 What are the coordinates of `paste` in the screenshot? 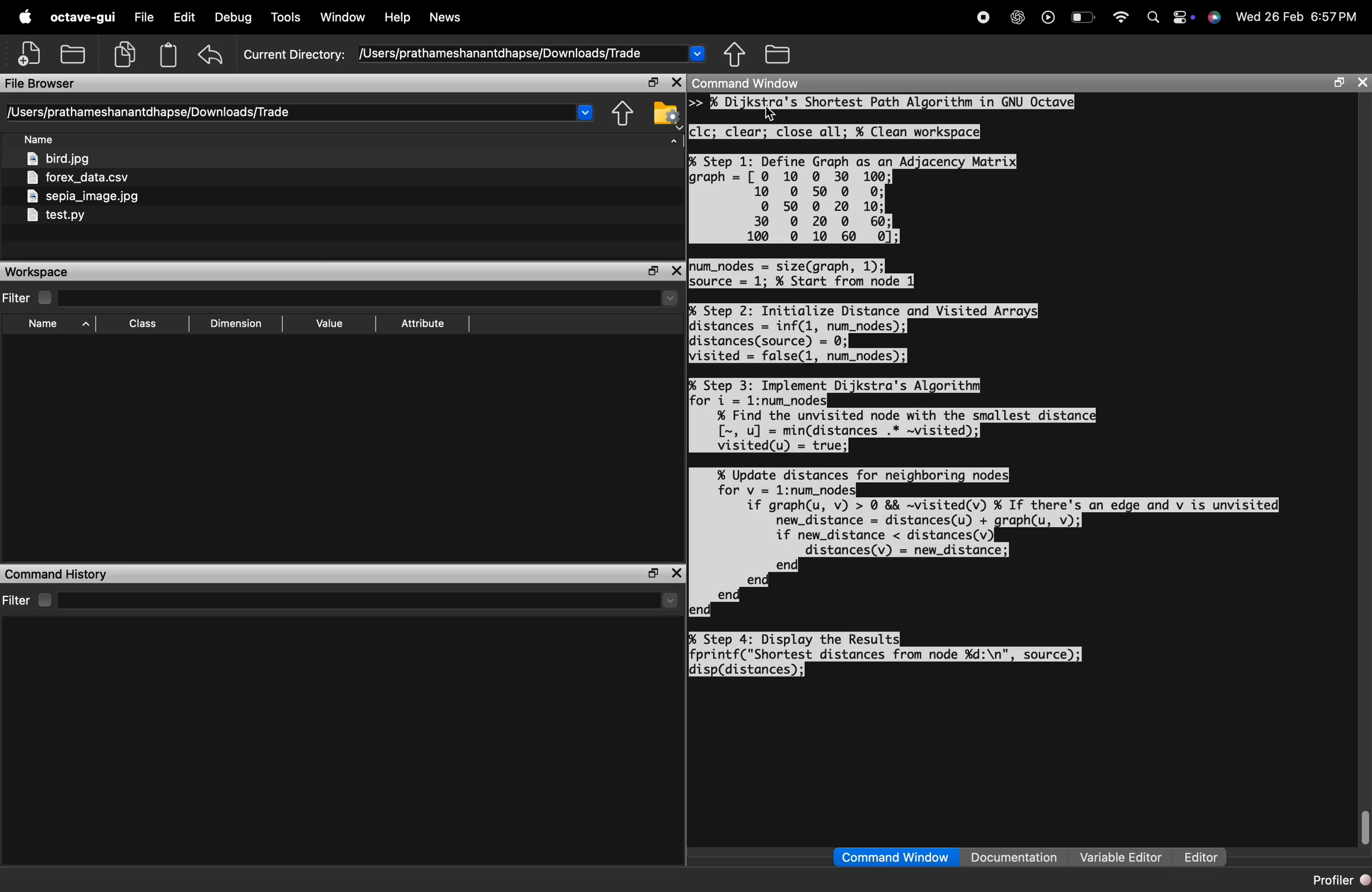 It's located at (168, 54).